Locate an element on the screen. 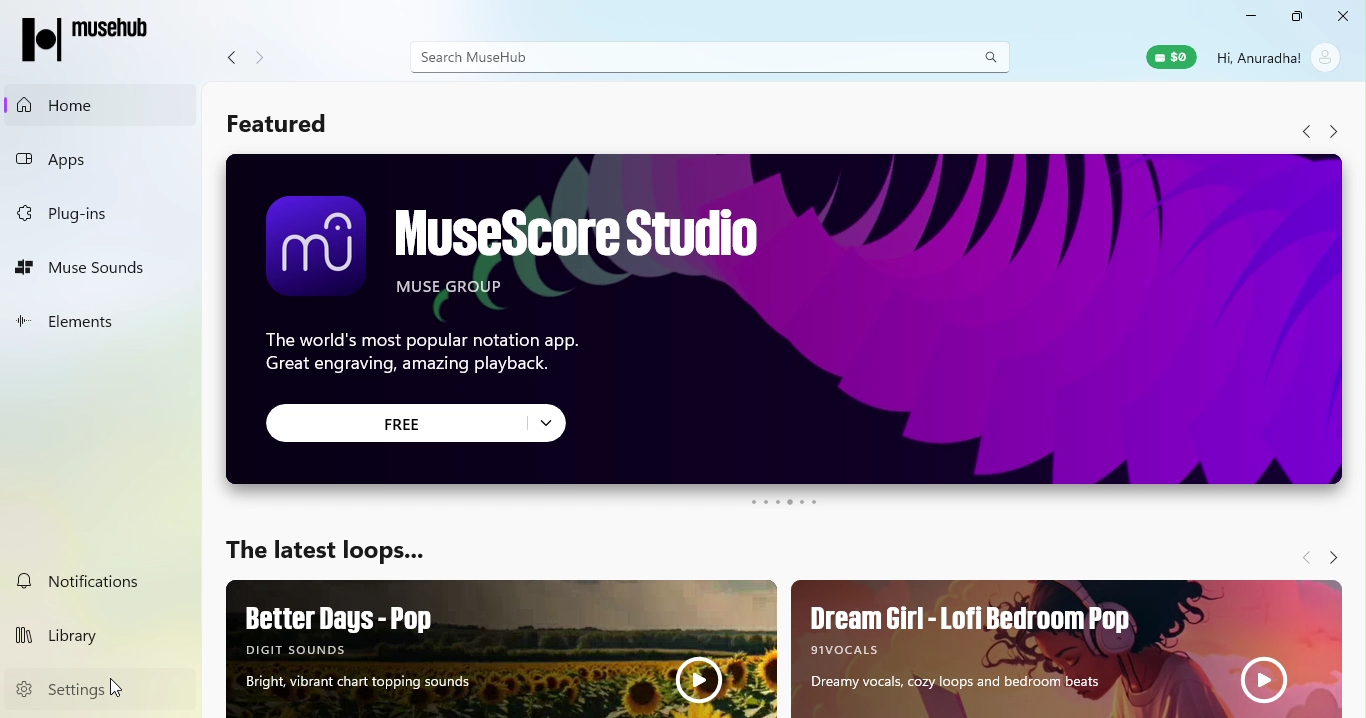 The width and height of the screenshot is (1366, 718). Navigate back is located at coordinates (231, 60).